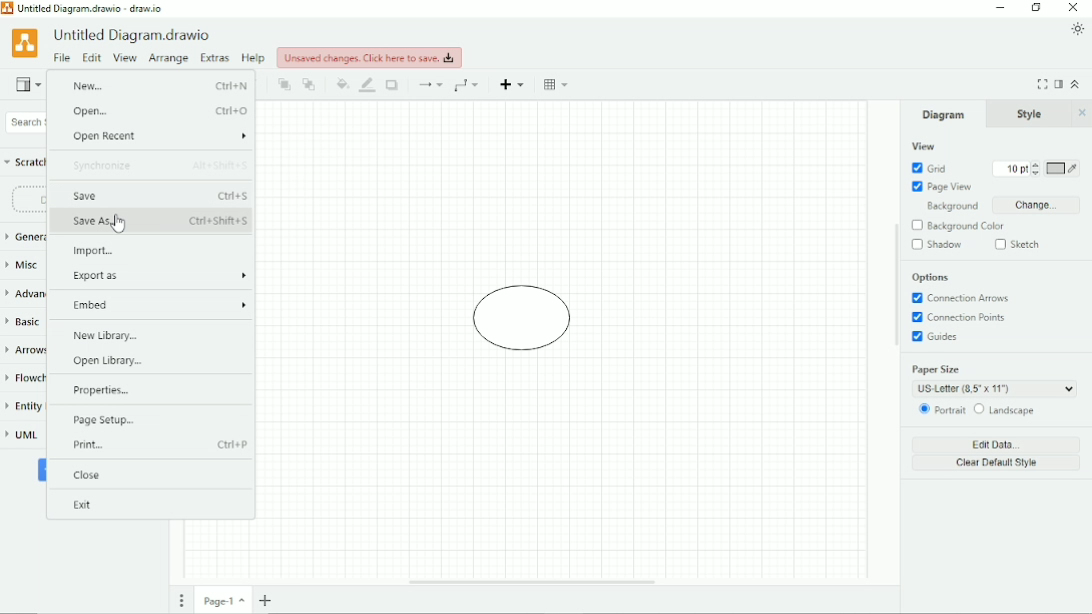  I want to click on Table, so click(558, 85).